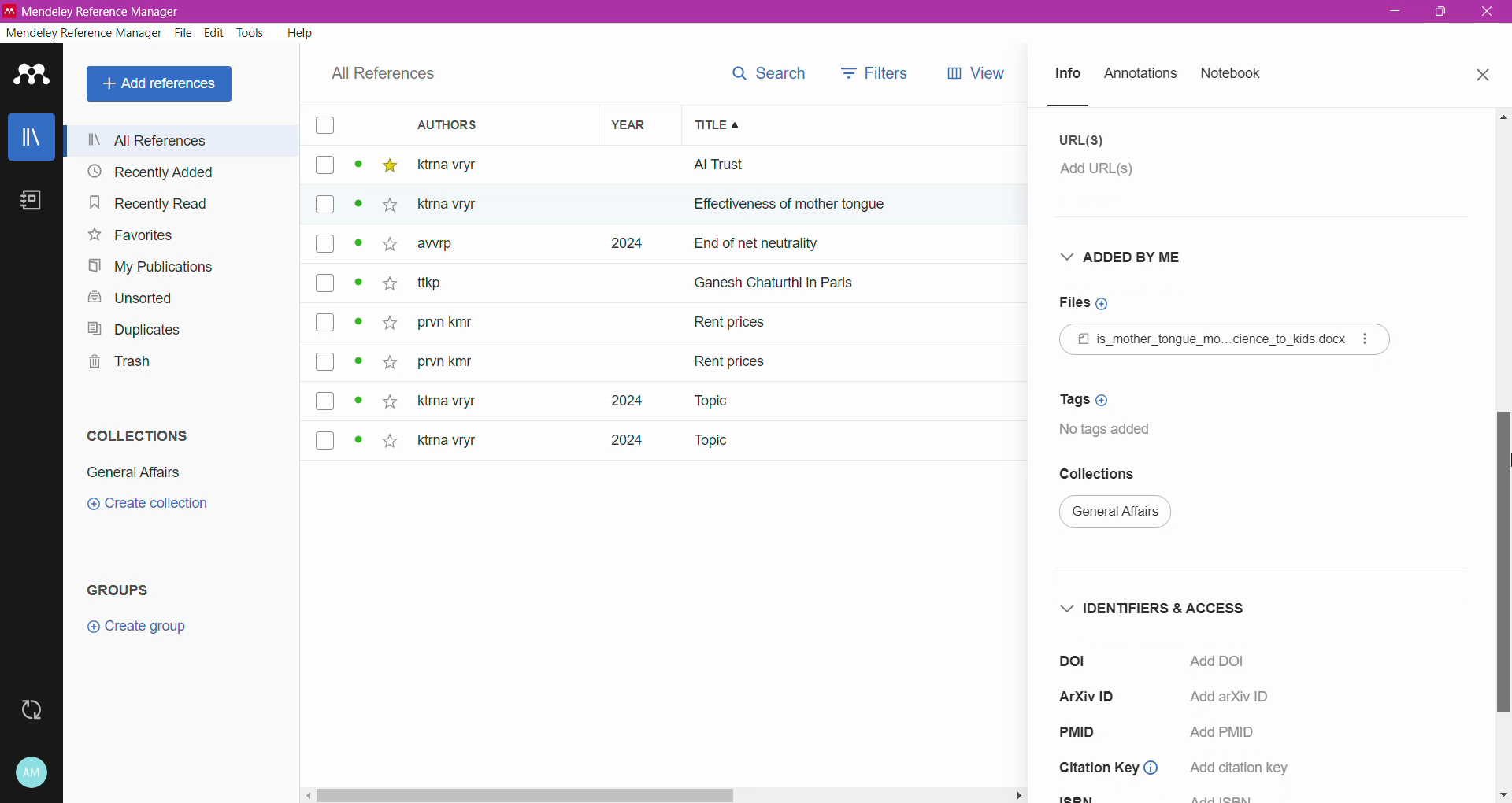  What do you see at coordinates (325, 246) in the screenshot?
I see `box` at bounding box center [325, 246].